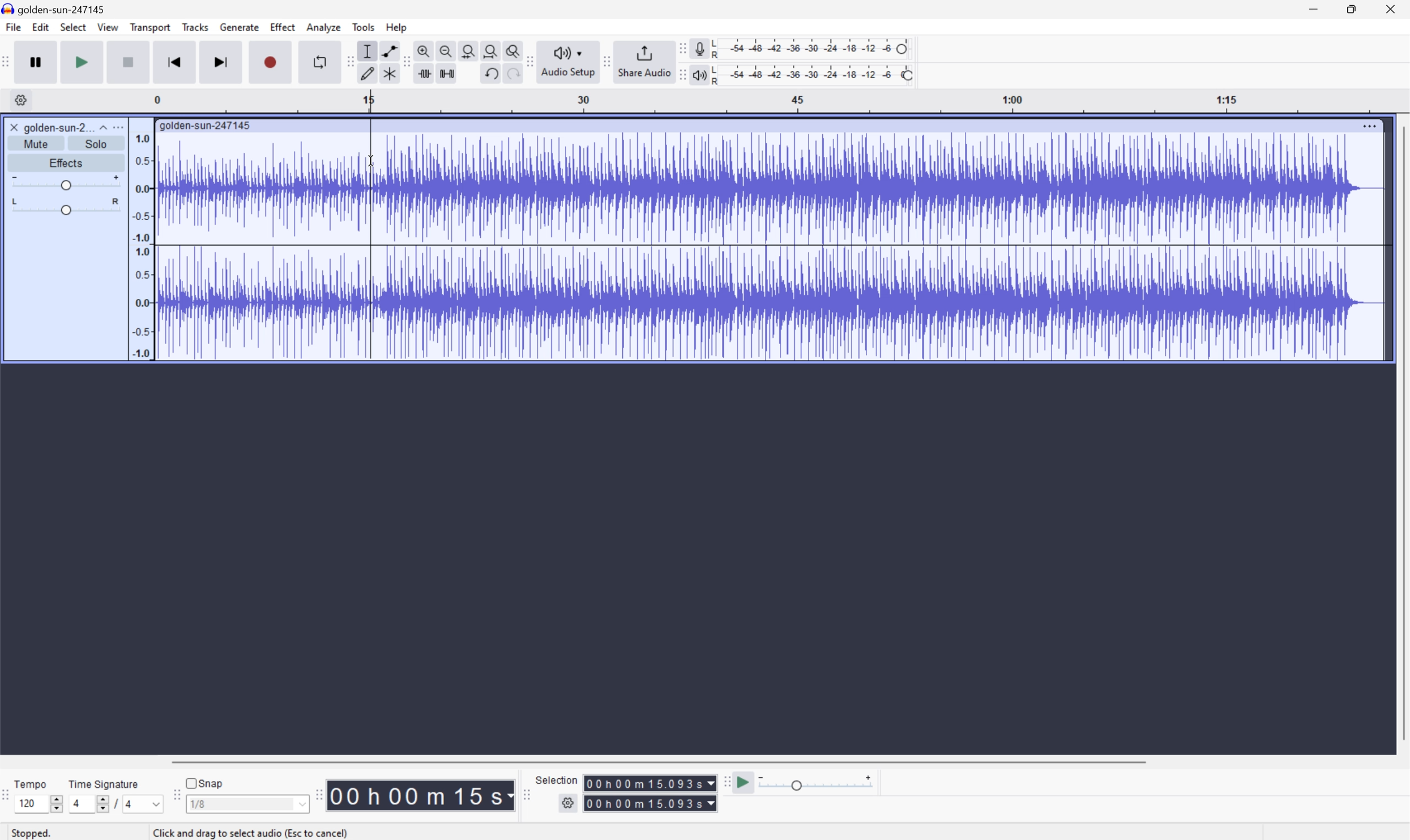 The width and height of the screenshot is (1410, 840). Describe the element at coordinates (241, 27) in the screenshot. I see `Generate` at that location.